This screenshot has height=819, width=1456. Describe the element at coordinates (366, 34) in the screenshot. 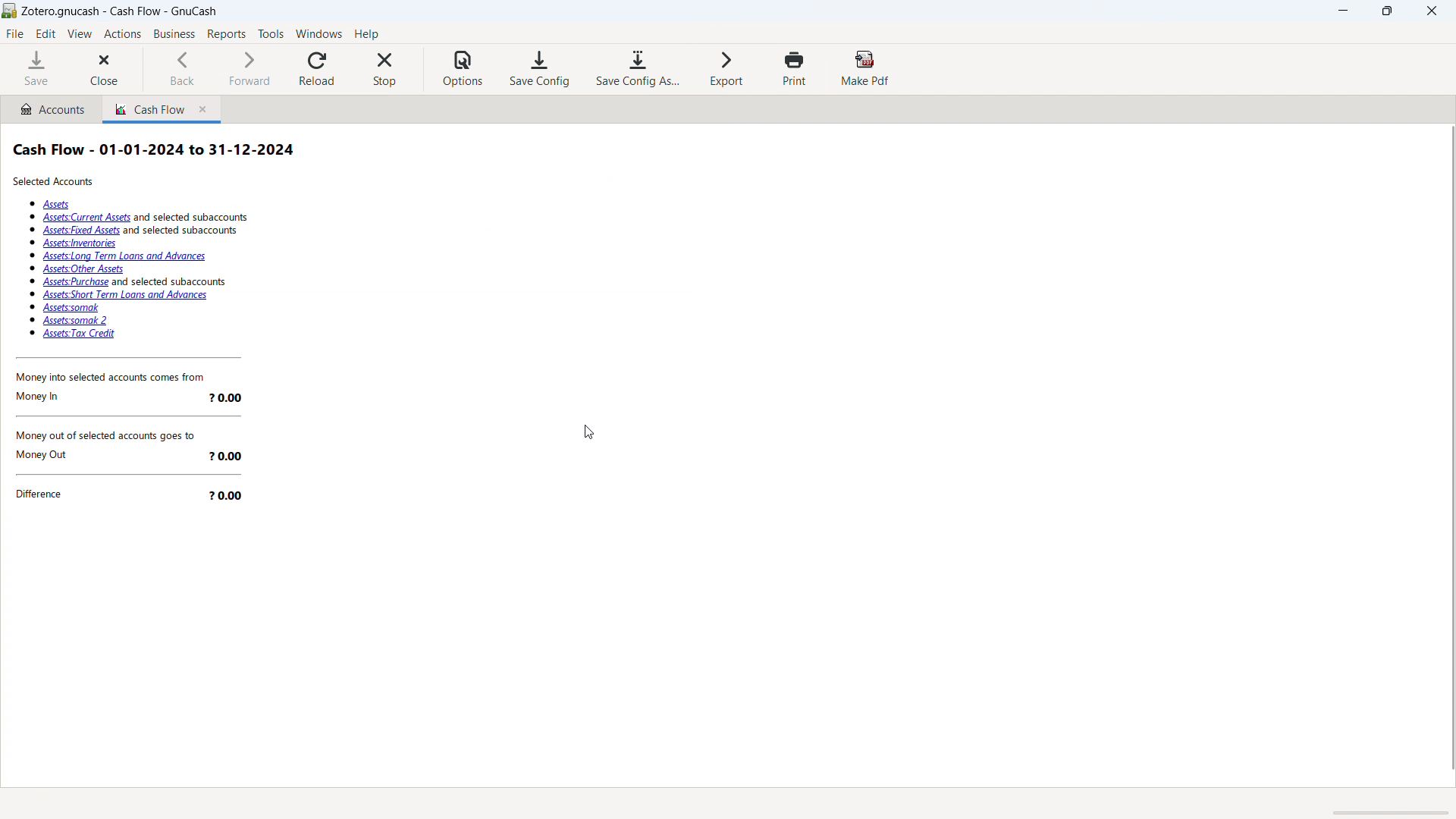

I see `help` at that location.